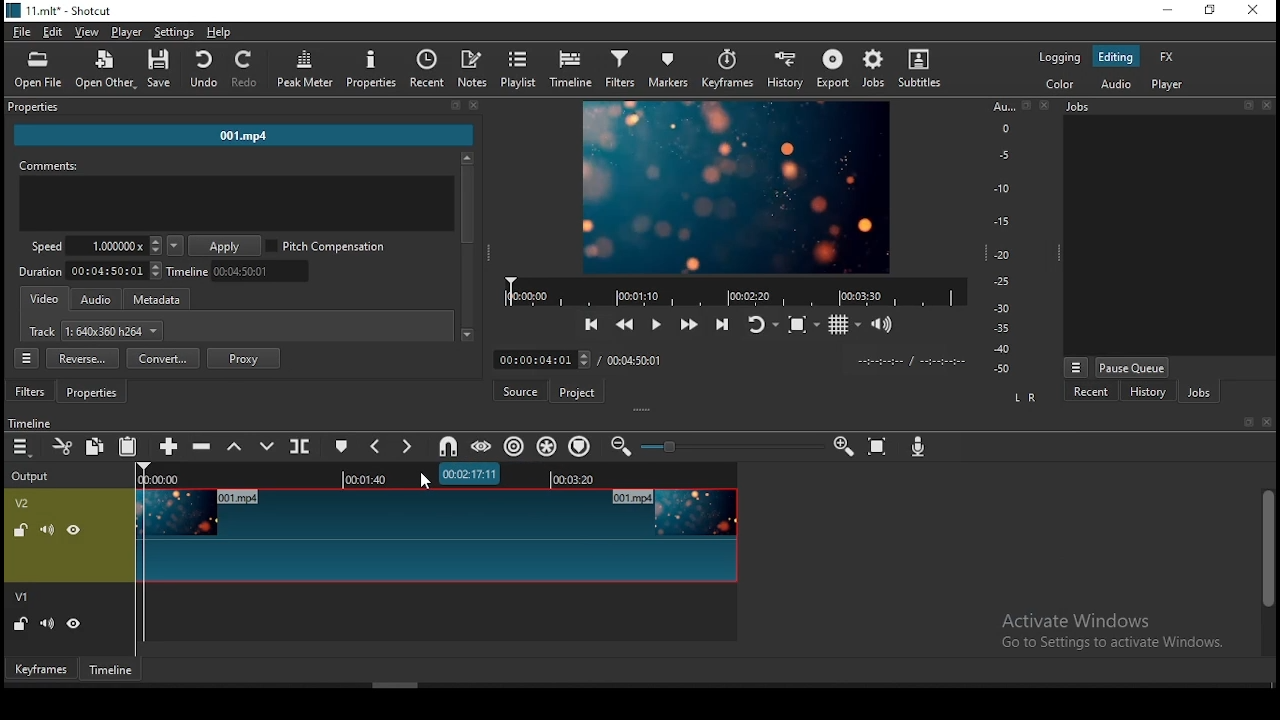  Describe the element at coordinates (131, 33) in the screenshot. I see `player` at that location.